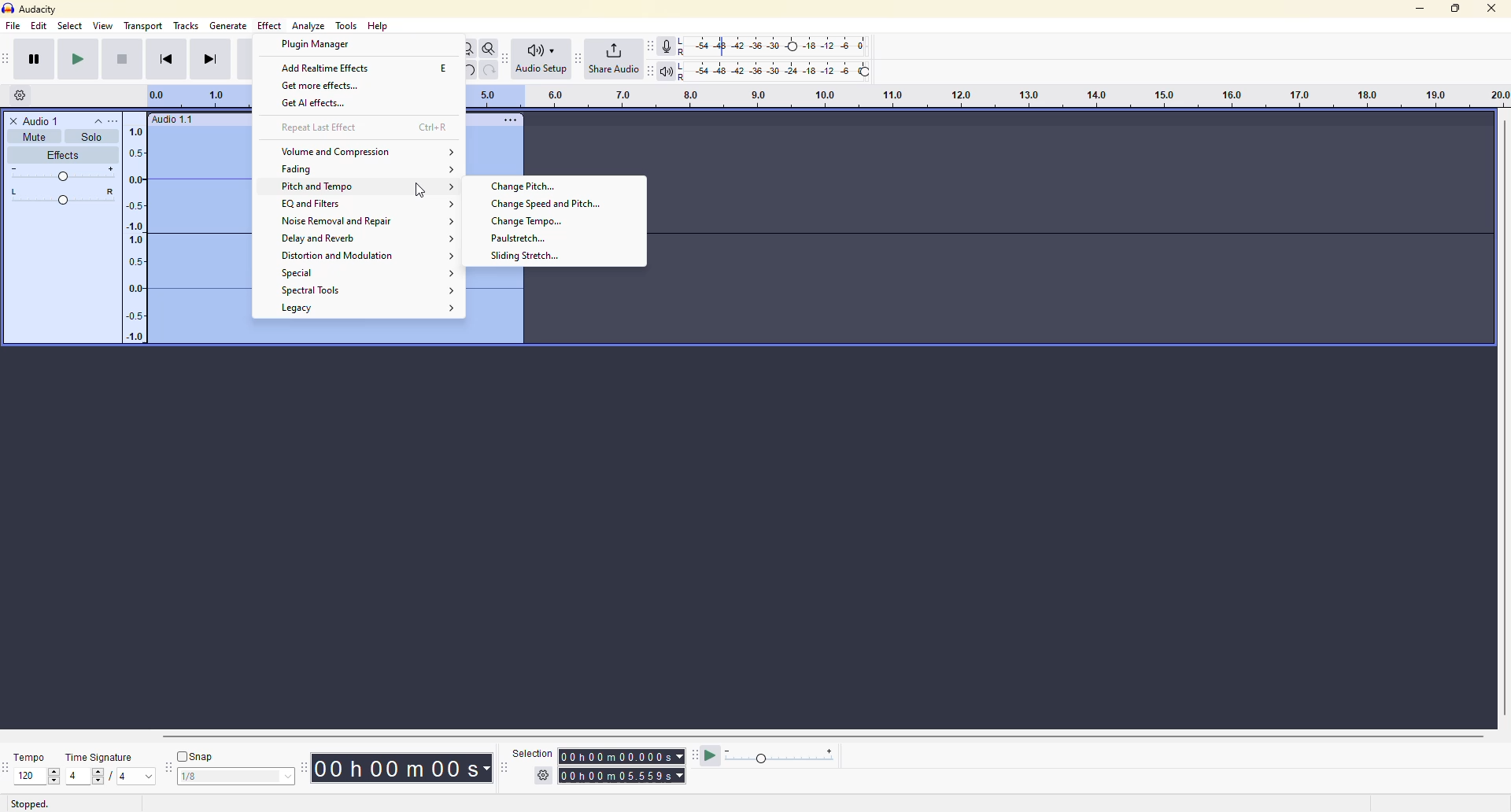 The width and height of the screenshot is (1511, 812). I want to click on add realtime effects, so click(326, 68).